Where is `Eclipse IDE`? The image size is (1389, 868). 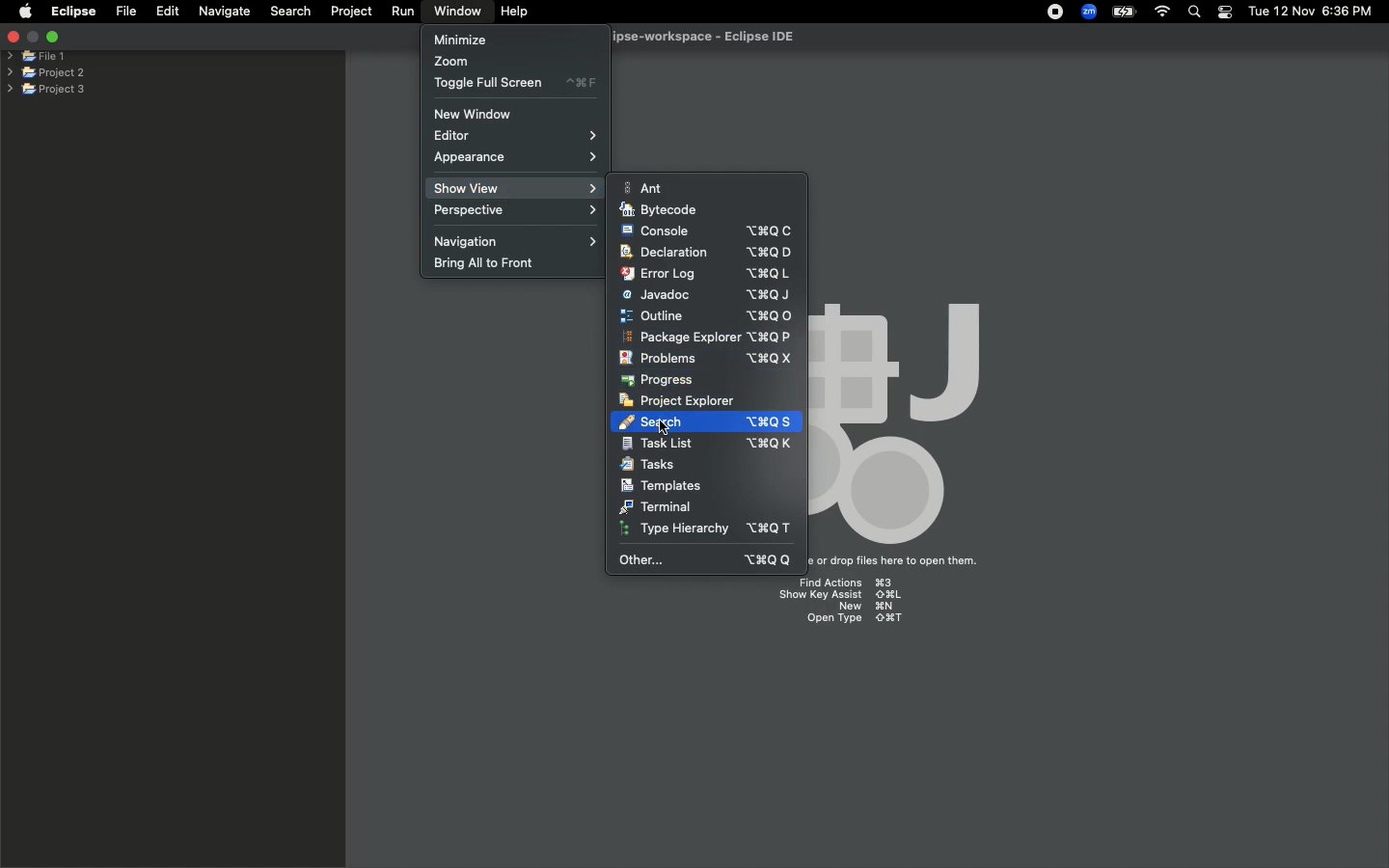
Eclipse IDE is located at coordinates (691, 38).